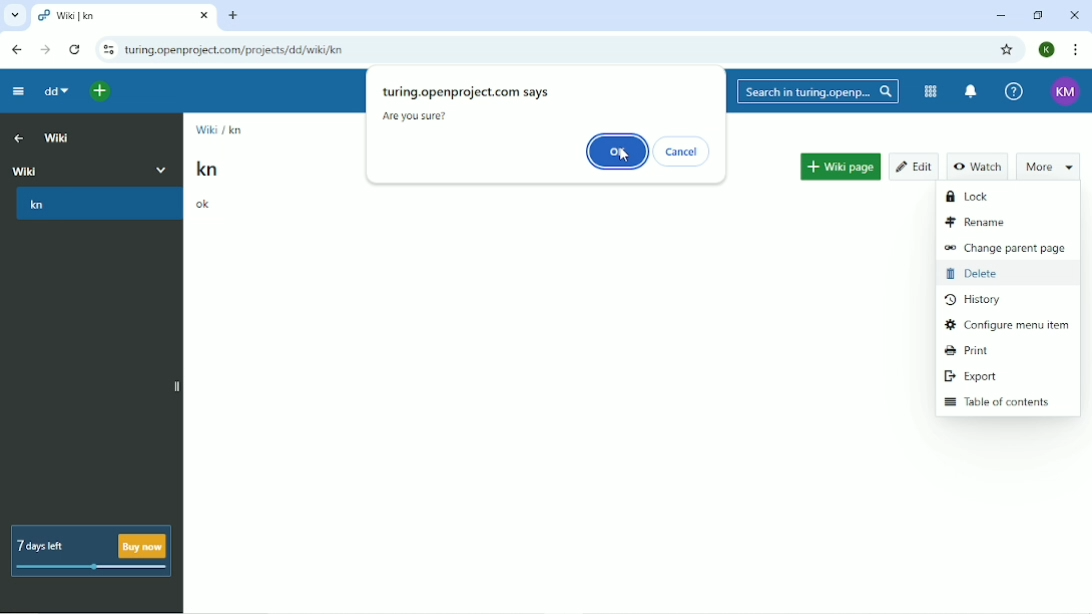 The height and width of the screenshot is (614, 1092). Describe the element at coordinates (1047, 50) in the screenshot. I see `Account` at that location.